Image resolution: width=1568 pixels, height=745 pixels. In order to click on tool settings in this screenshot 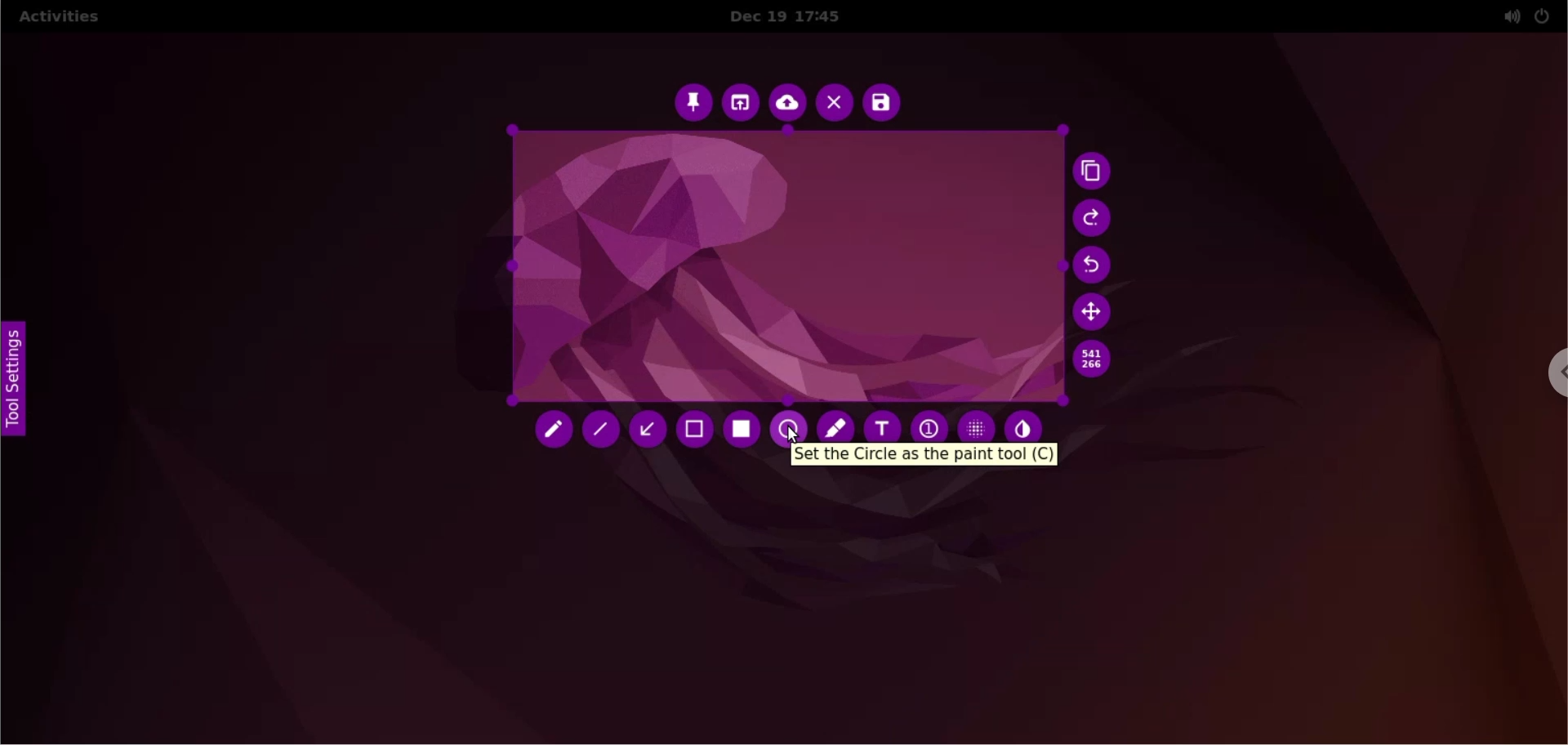, I will do `click(23, 386)`.